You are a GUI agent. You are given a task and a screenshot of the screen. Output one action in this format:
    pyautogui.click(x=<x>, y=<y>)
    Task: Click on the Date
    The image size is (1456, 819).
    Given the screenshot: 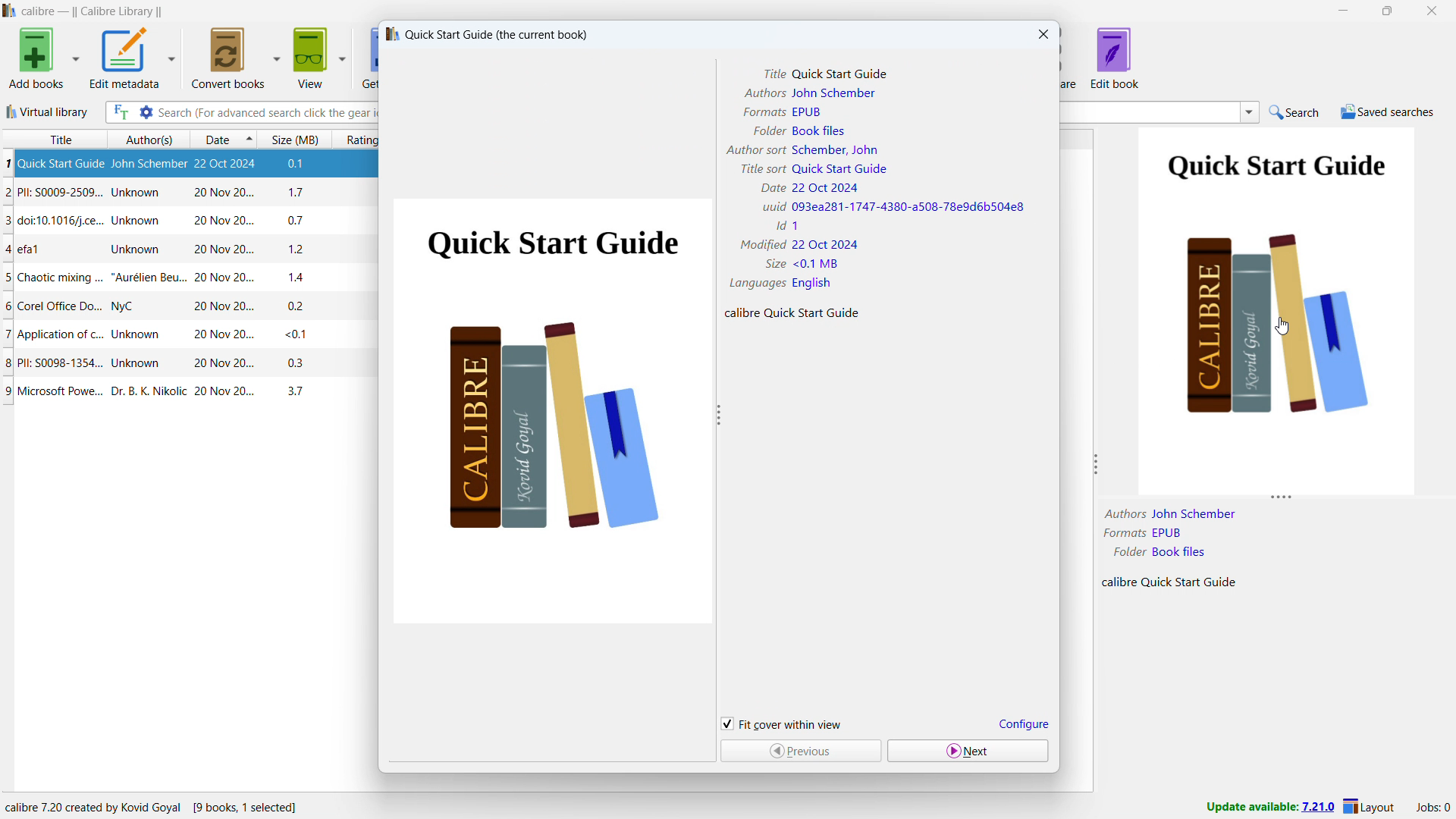 What is the action you would take?
    pyautogui.click(x=767, y=188)
    